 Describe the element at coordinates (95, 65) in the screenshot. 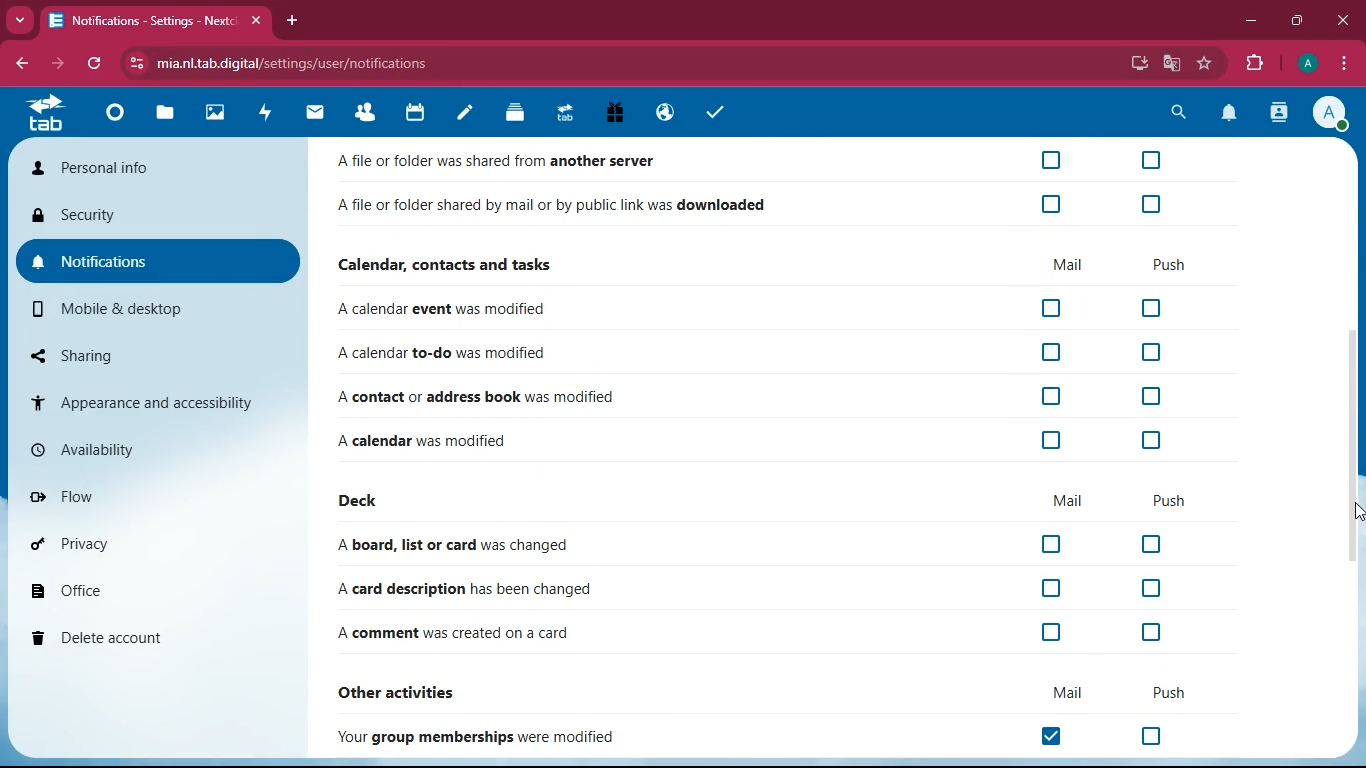

I see `refresh` at that location.